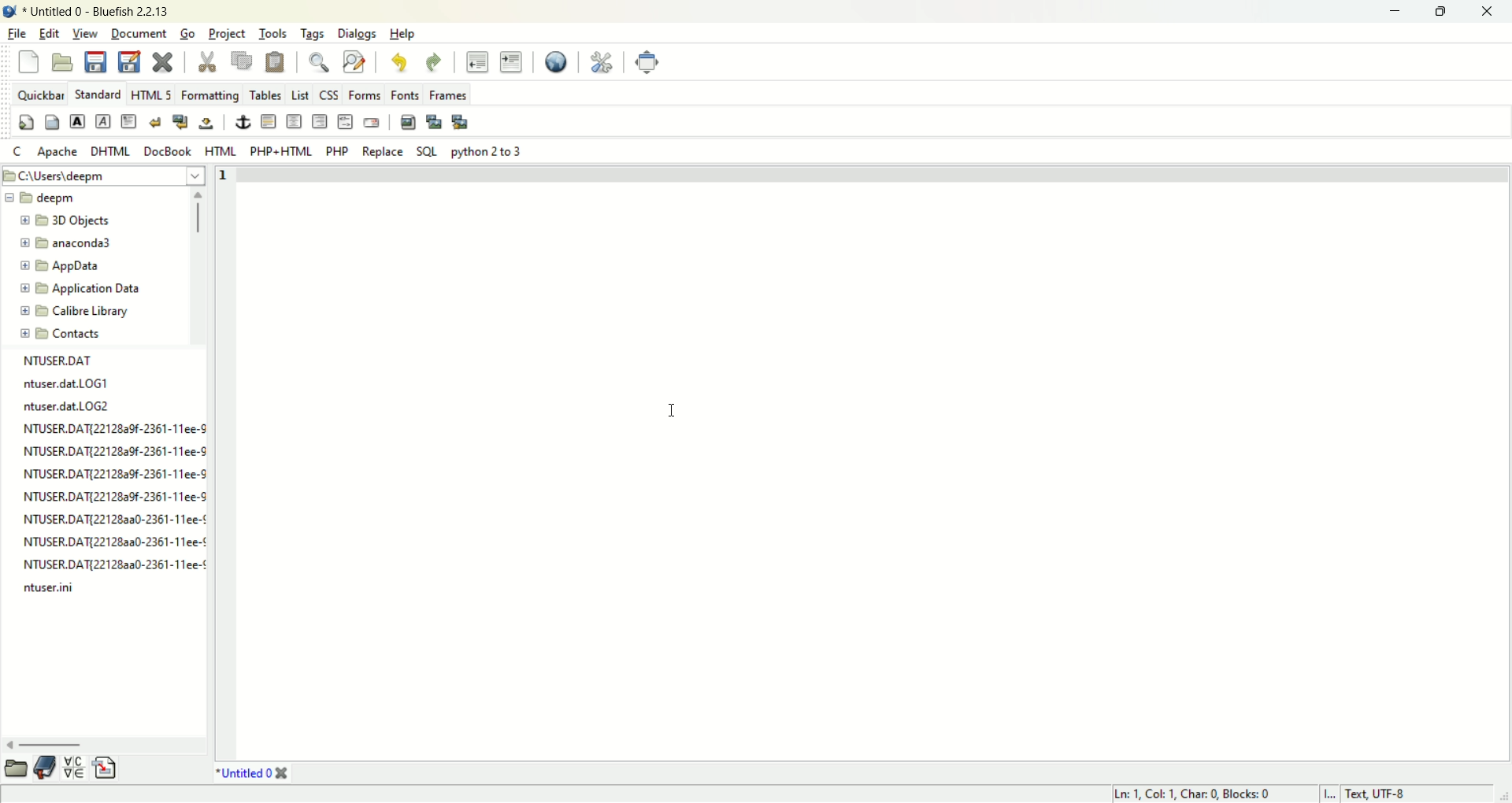 The image size is (1512, 803). Describe the element at coordinates (45, 769) in the screenshot. I see `bookmark` at that location.